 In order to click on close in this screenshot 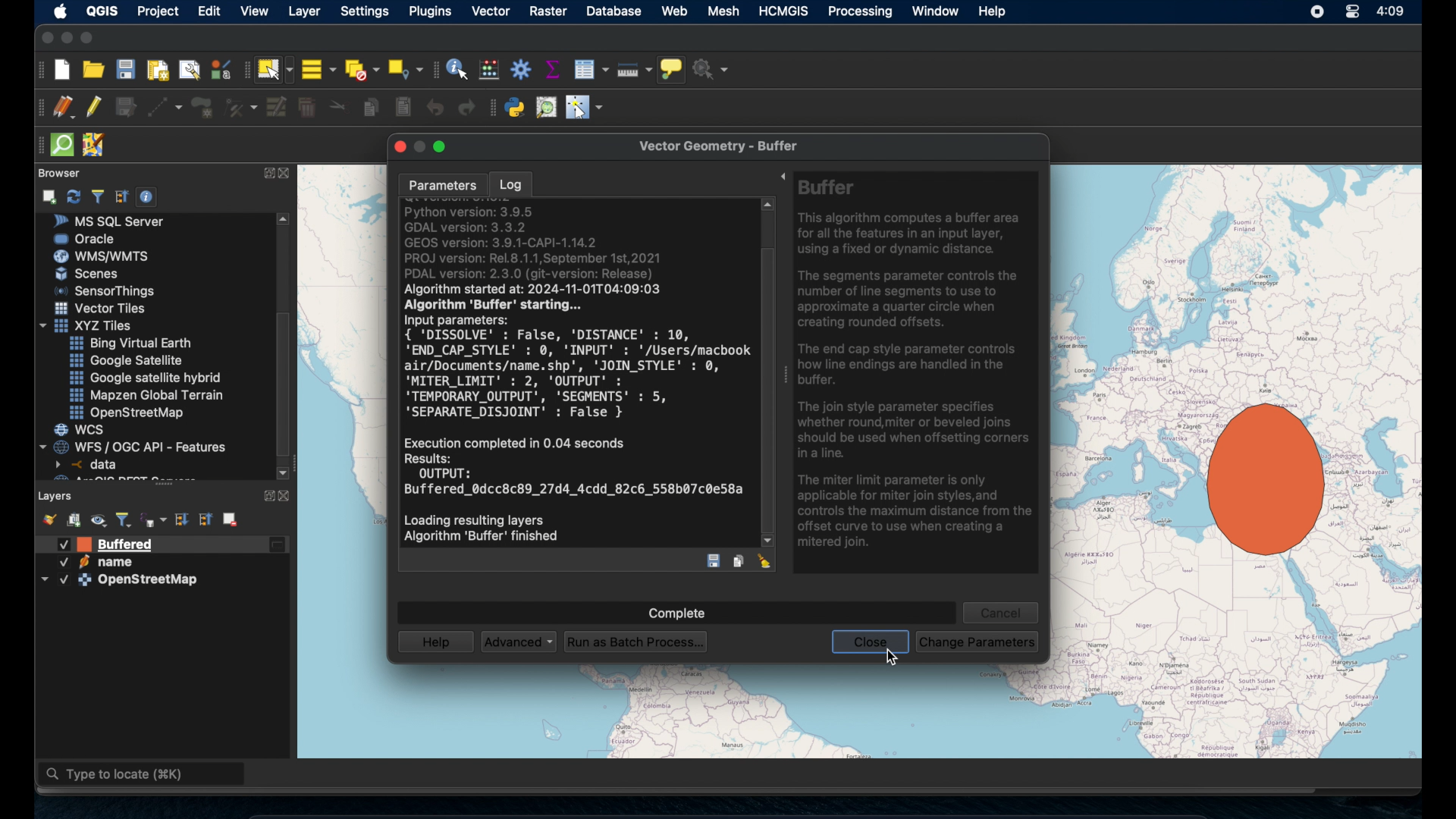, I will do `click(871, 645)`.